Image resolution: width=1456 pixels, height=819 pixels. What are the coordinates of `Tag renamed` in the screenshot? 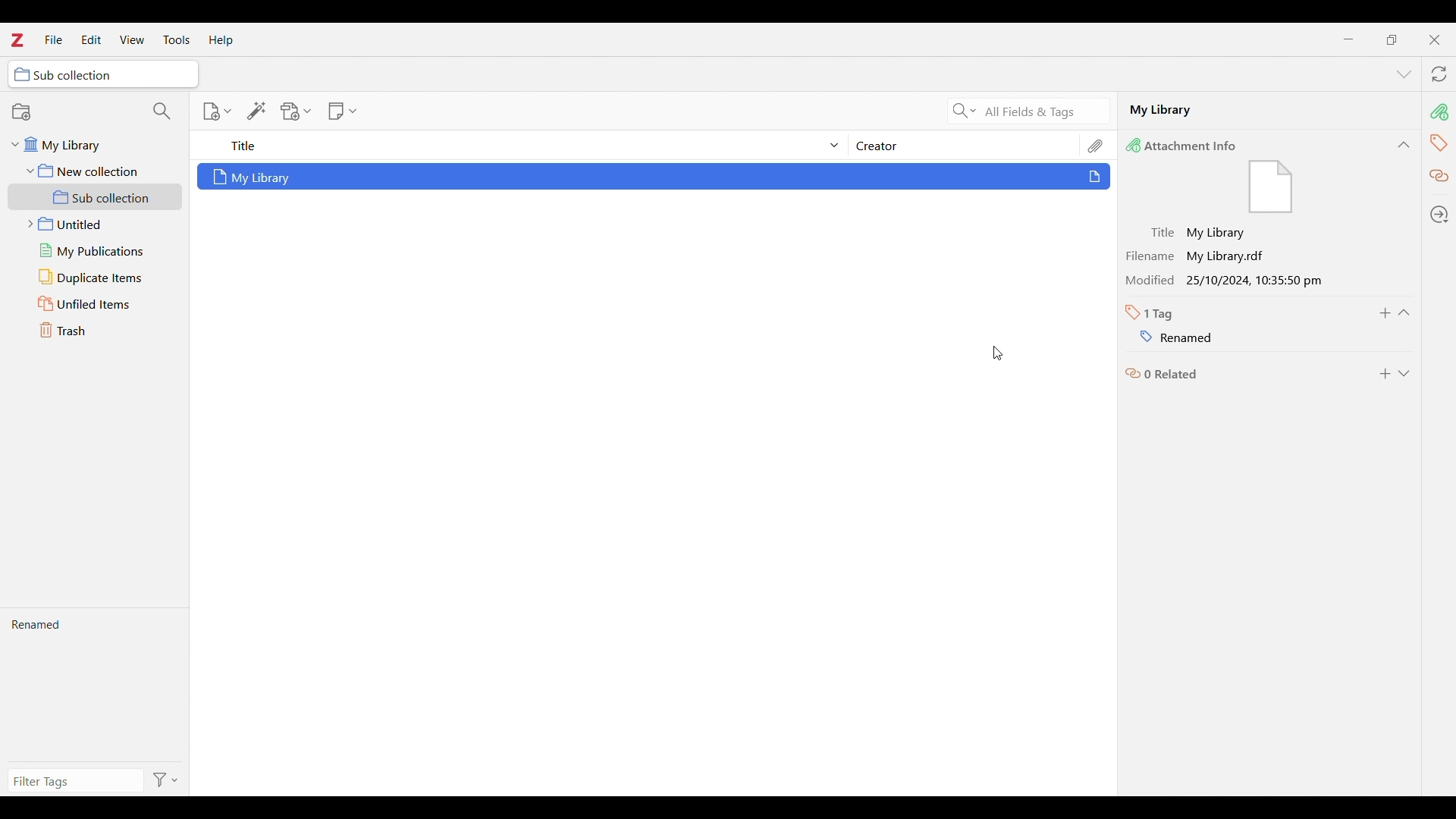 It's located at (1269, 337).